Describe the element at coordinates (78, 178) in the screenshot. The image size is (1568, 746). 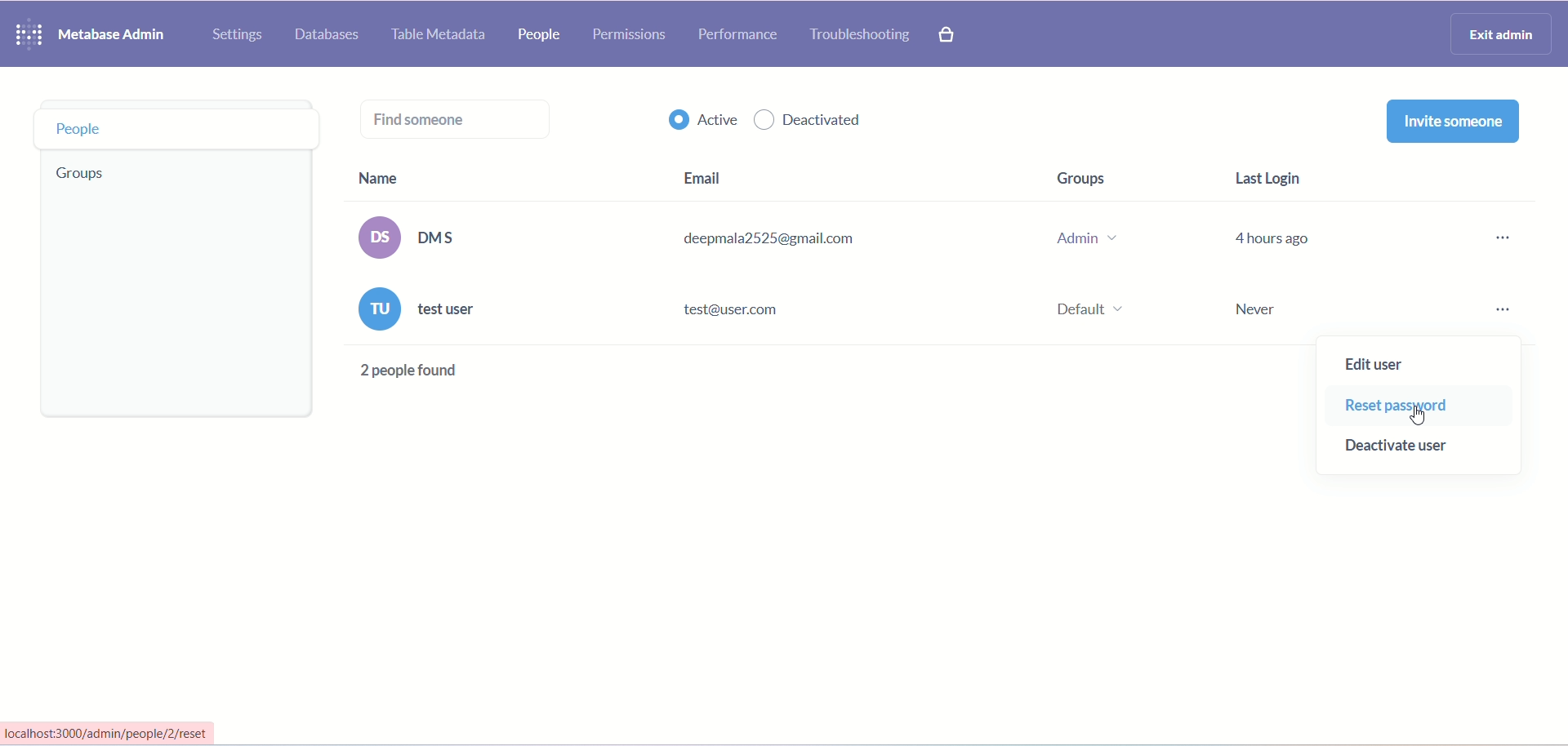
I see `group` at that location.